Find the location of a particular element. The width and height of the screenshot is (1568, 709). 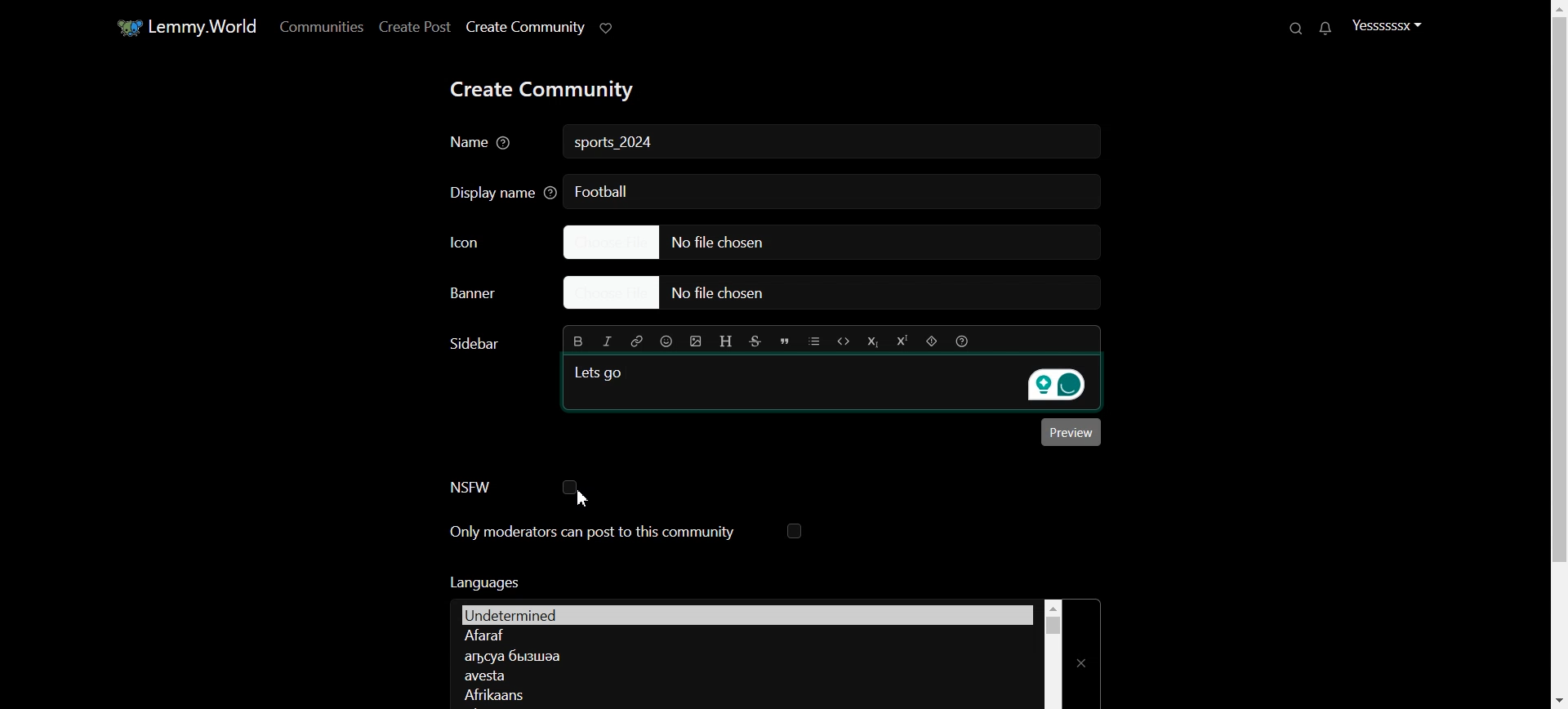

Language is located at coordinates (742, 693).